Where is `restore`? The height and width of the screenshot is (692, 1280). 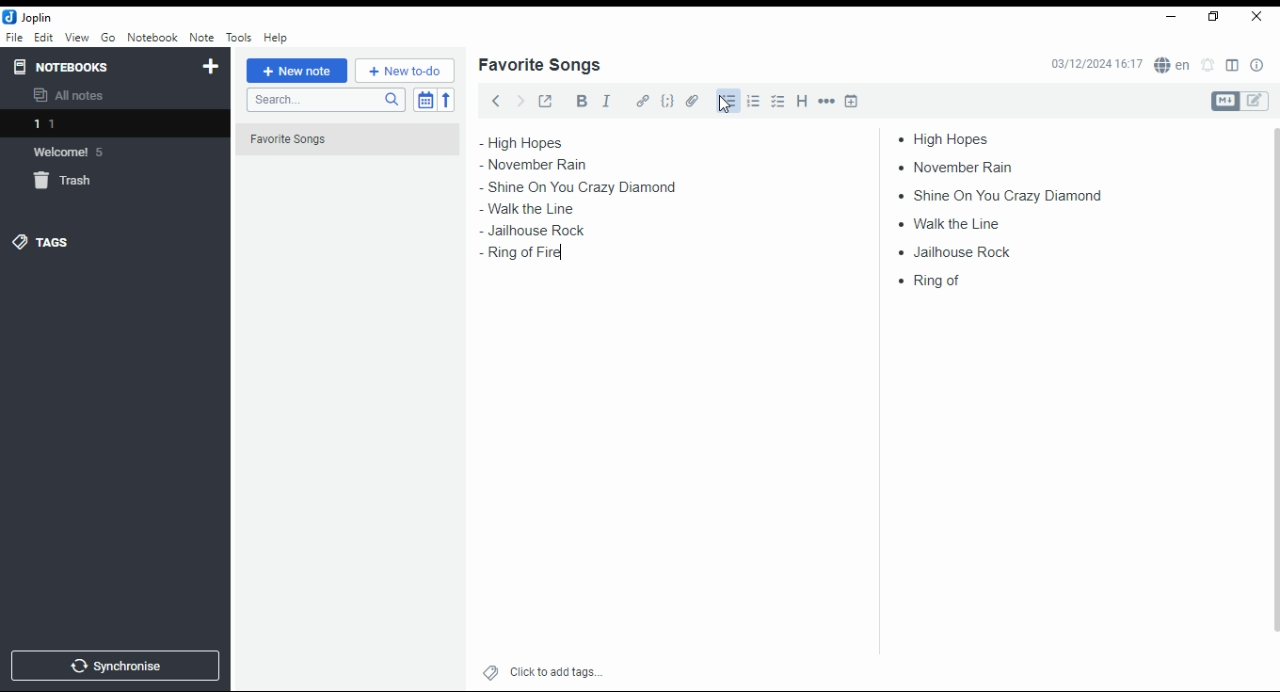 restore is located at coordinates (1216, 17).